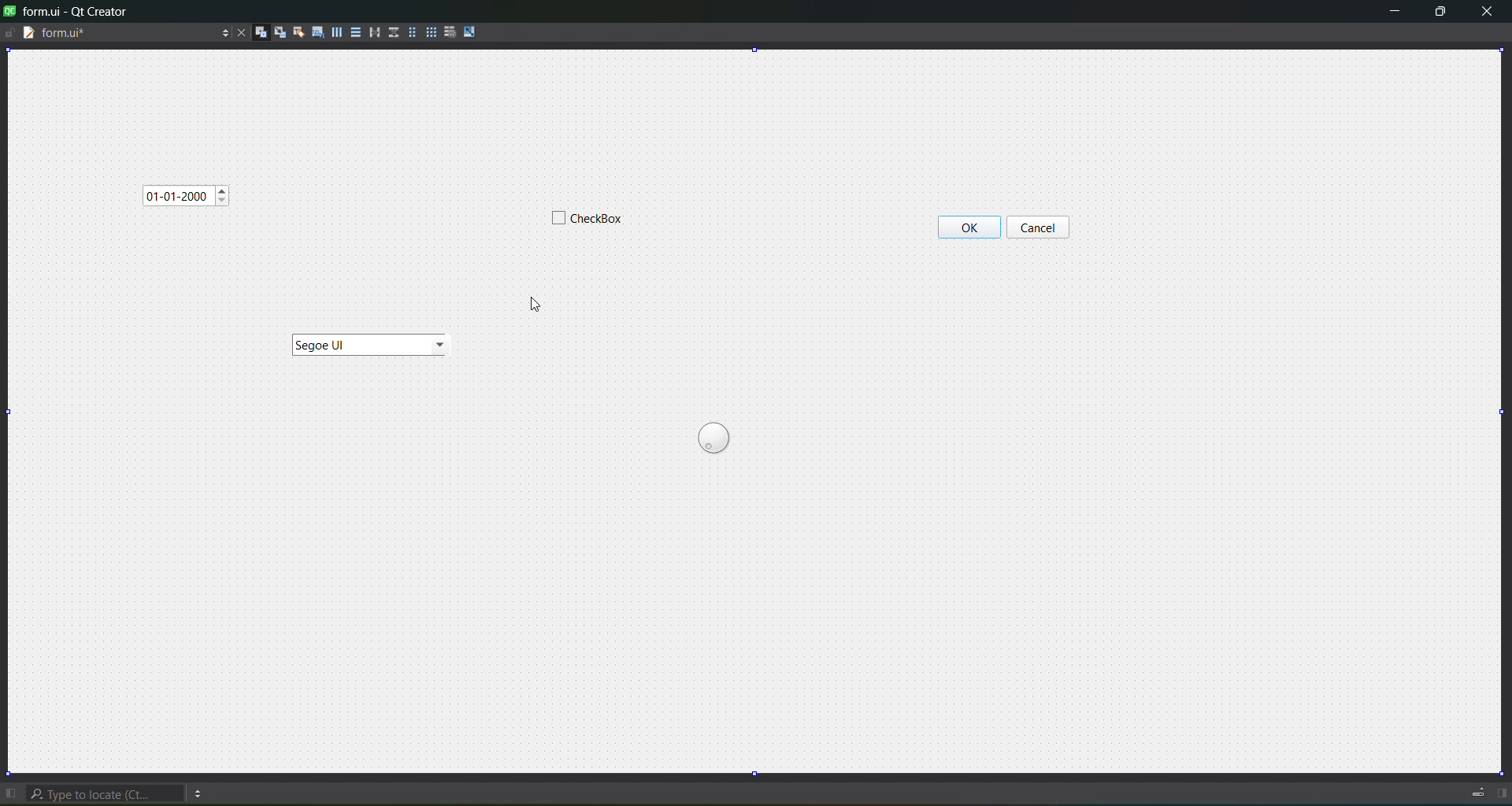 The width and height of the screenshot is (1512, 806). Describe the element at coordinates (995, 230) in the screenshot. I see `Widget` at that location.